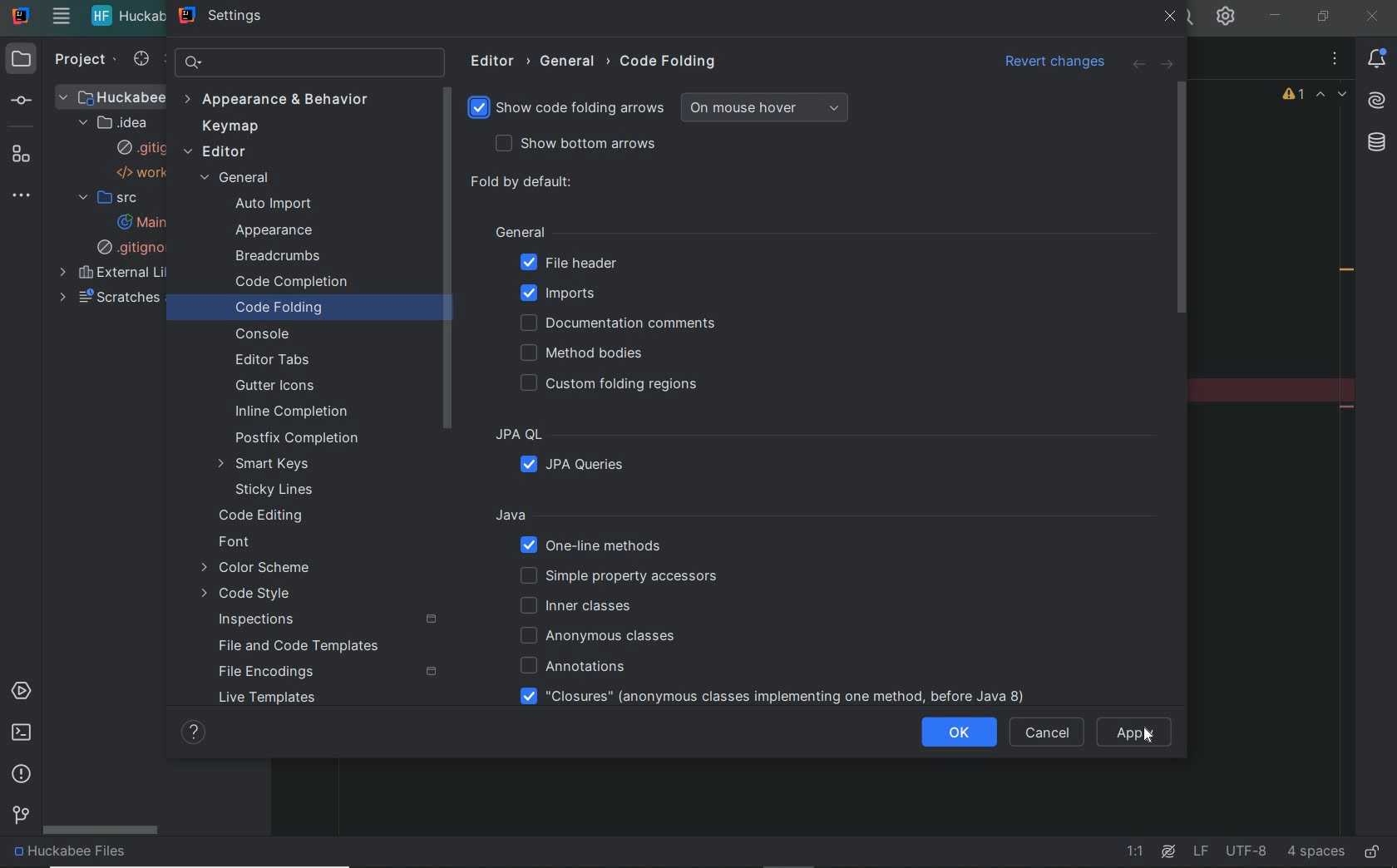 This screenshot has width=1397, height=868. I want to click on font, so click(234, 542).